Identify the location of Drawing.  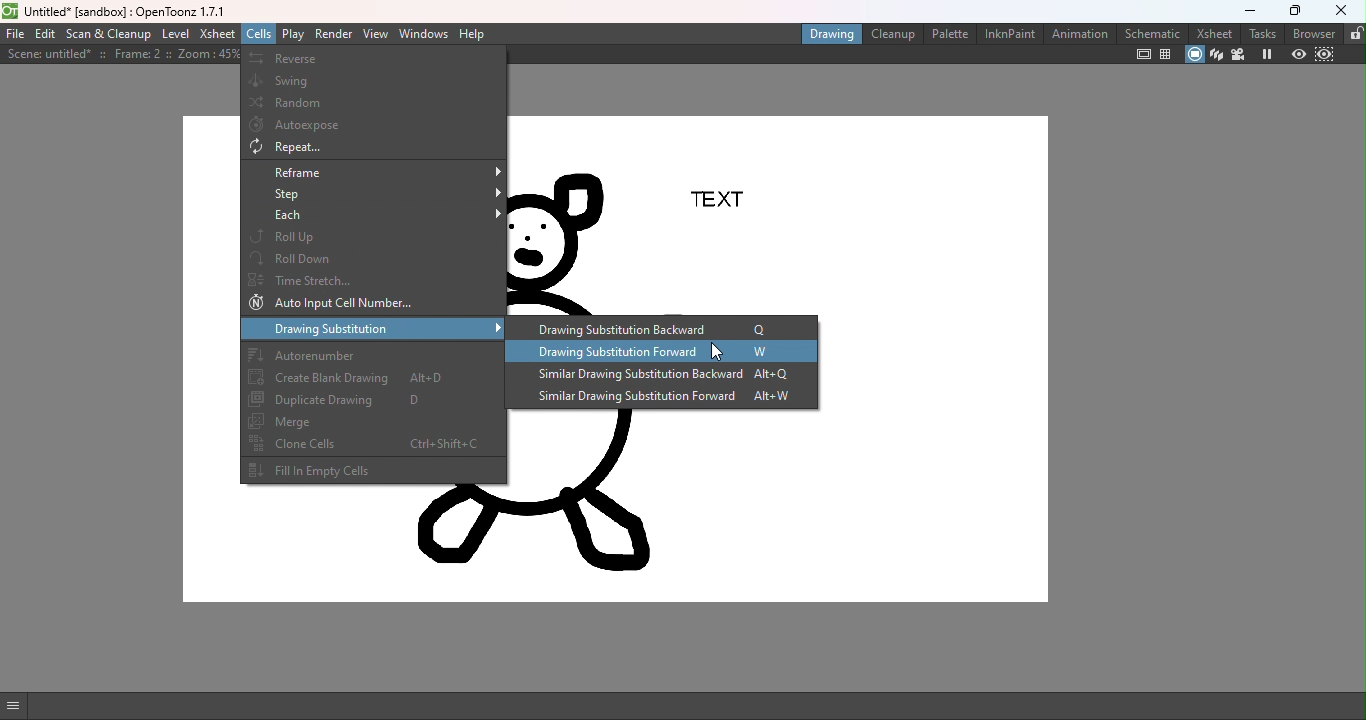
(827, 35).